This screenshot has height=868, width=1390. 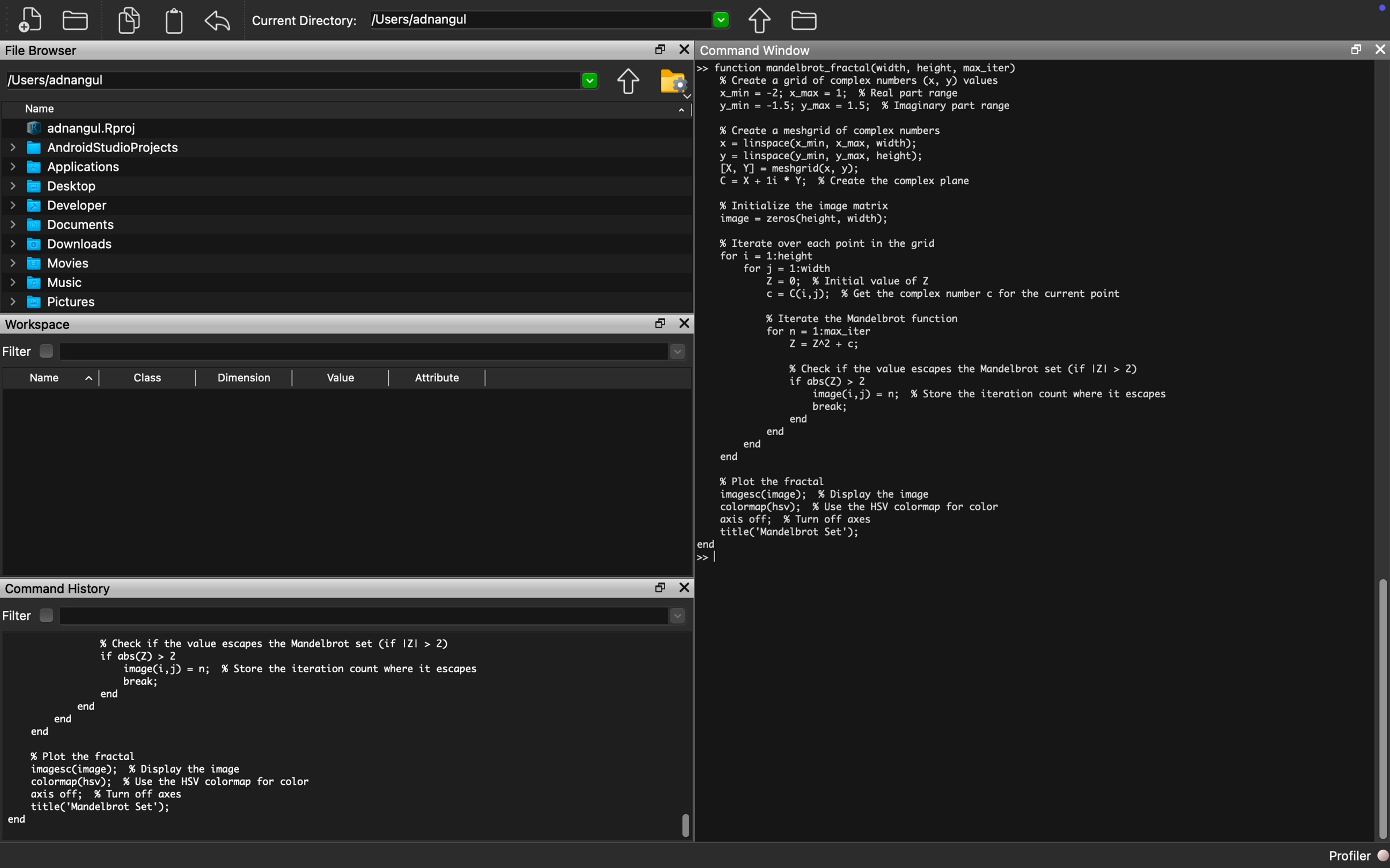 I want to click on Restore Down, so click(x=1355, y=49).